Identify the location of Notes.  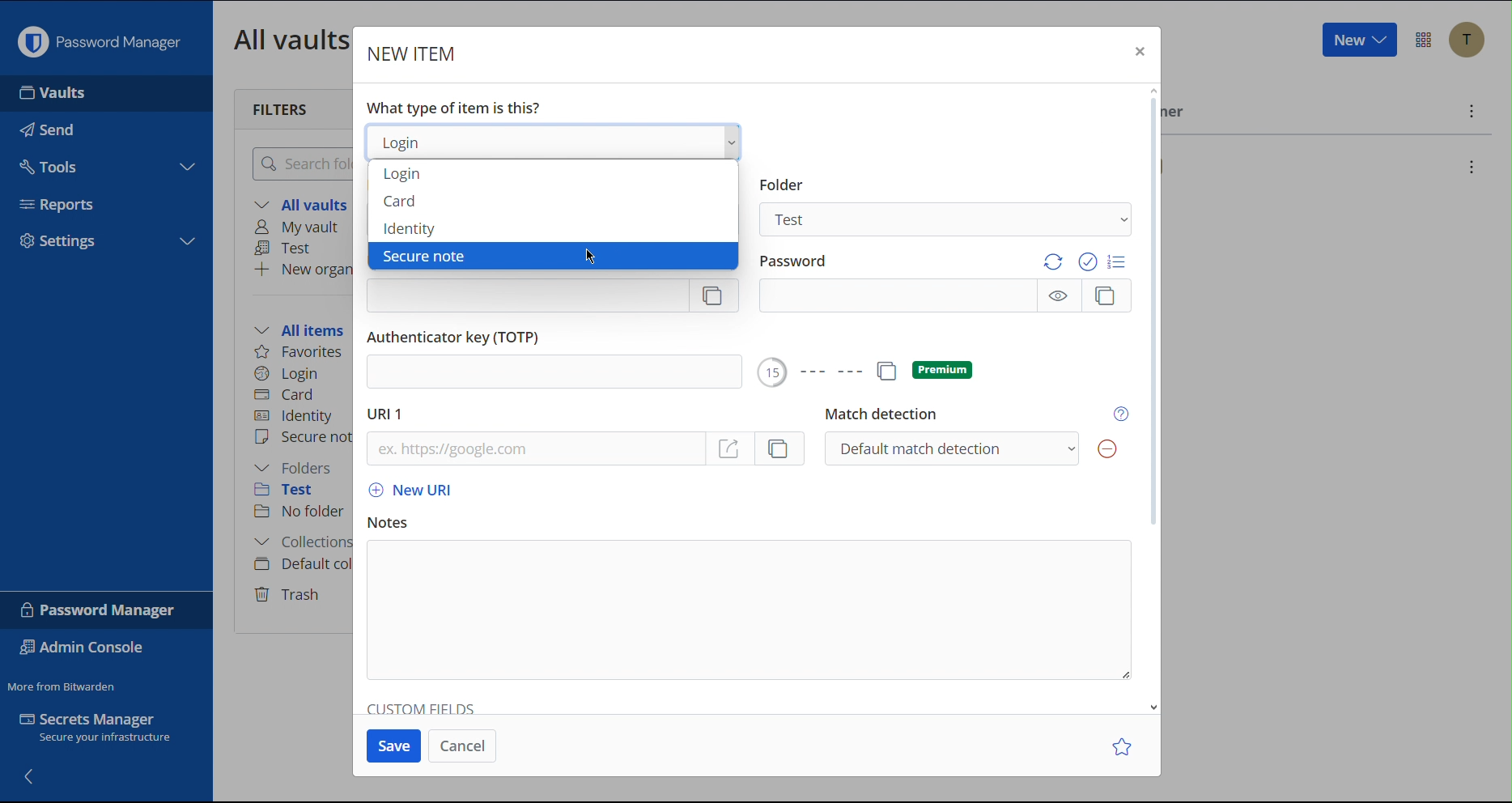
(388, 523).